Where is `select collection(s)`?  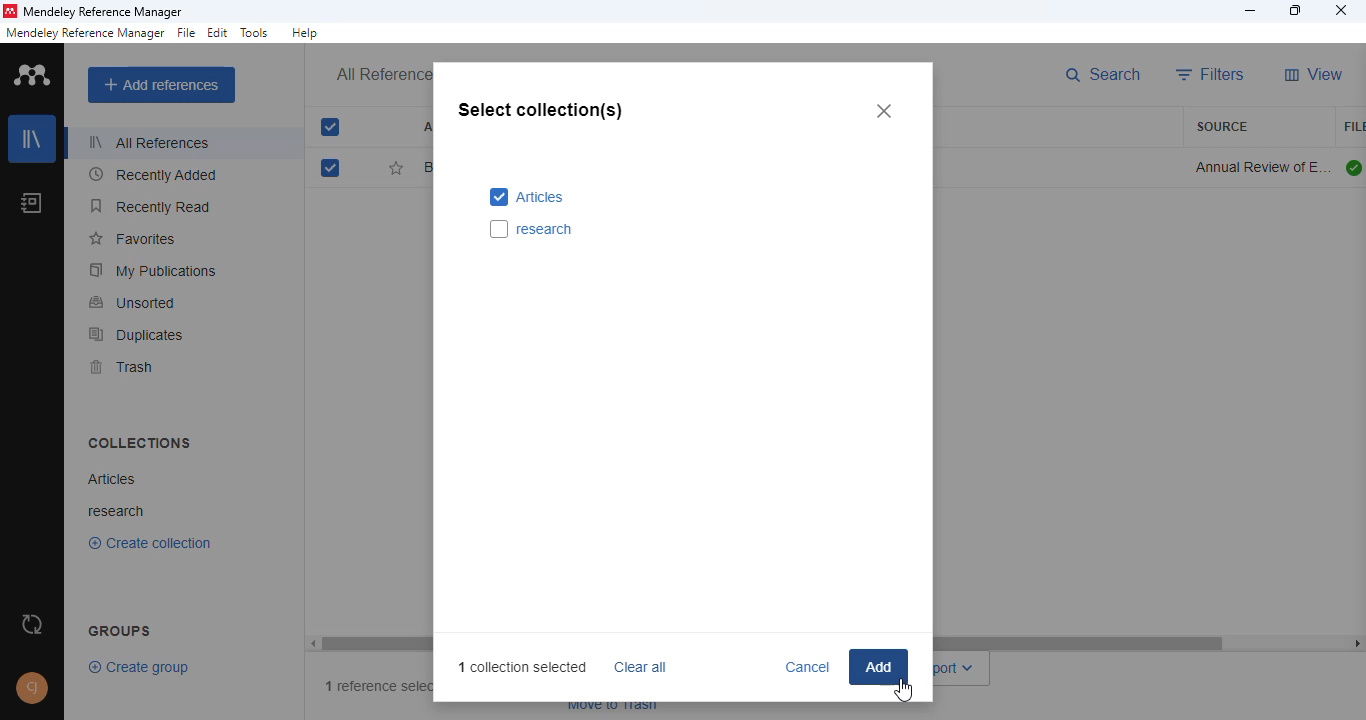
select collection(s) is located at coordinates (540, 109).